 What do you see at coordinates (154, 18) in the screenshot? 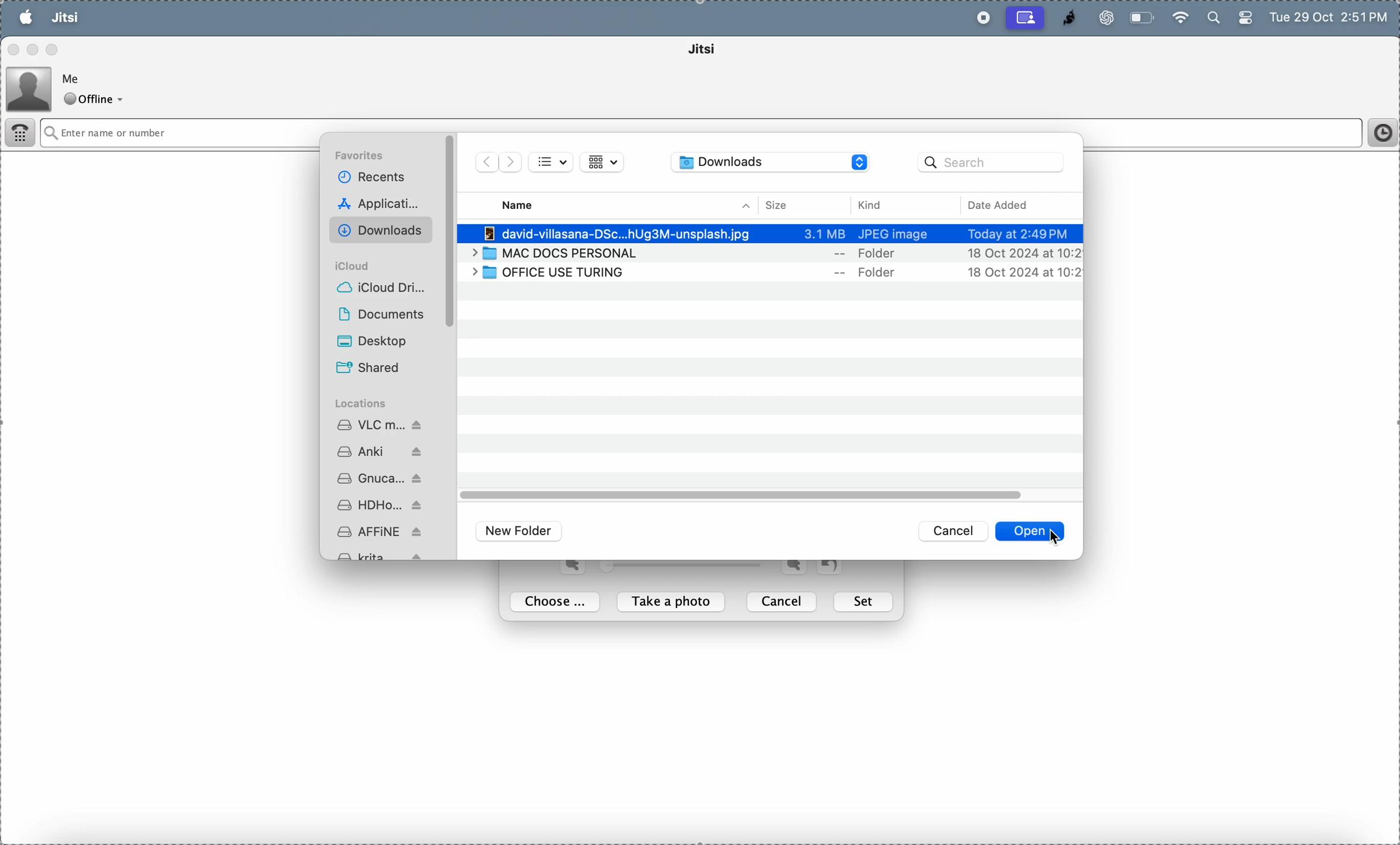
I see `tools` at bounding box center [154, 18].